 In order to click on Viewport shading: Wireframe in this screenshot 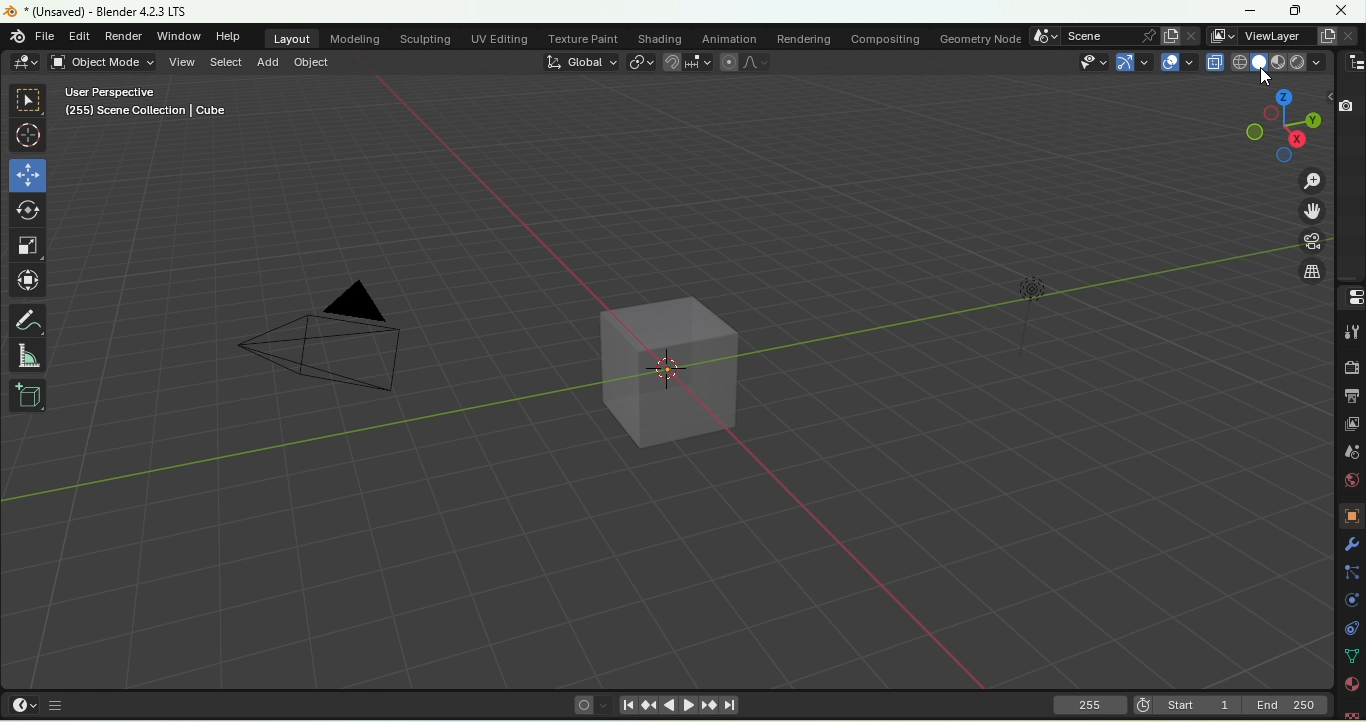, I will do `click(1237, 62)`.